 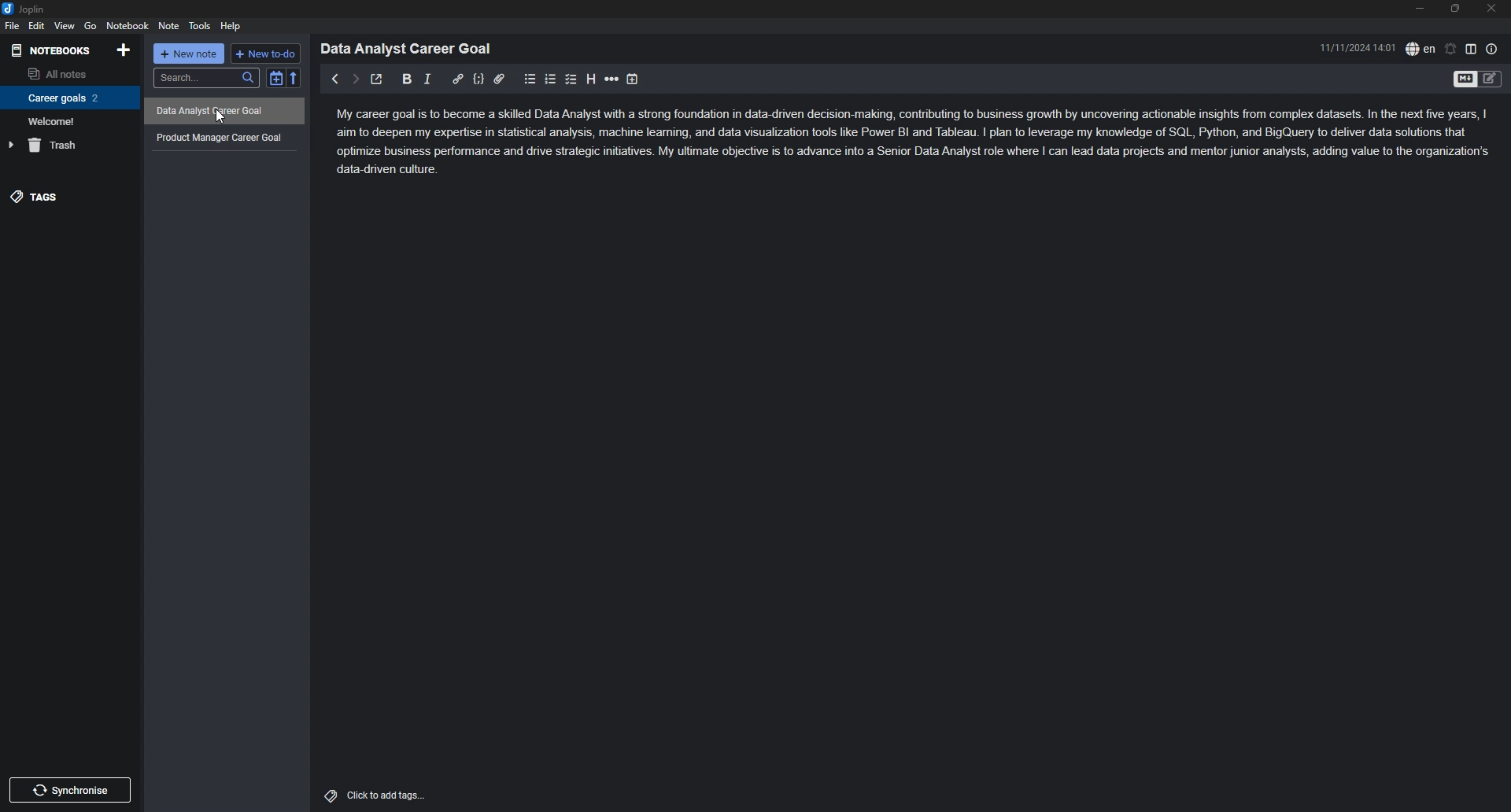 I want to click on Career goals 2, so click(x=67, y=98).